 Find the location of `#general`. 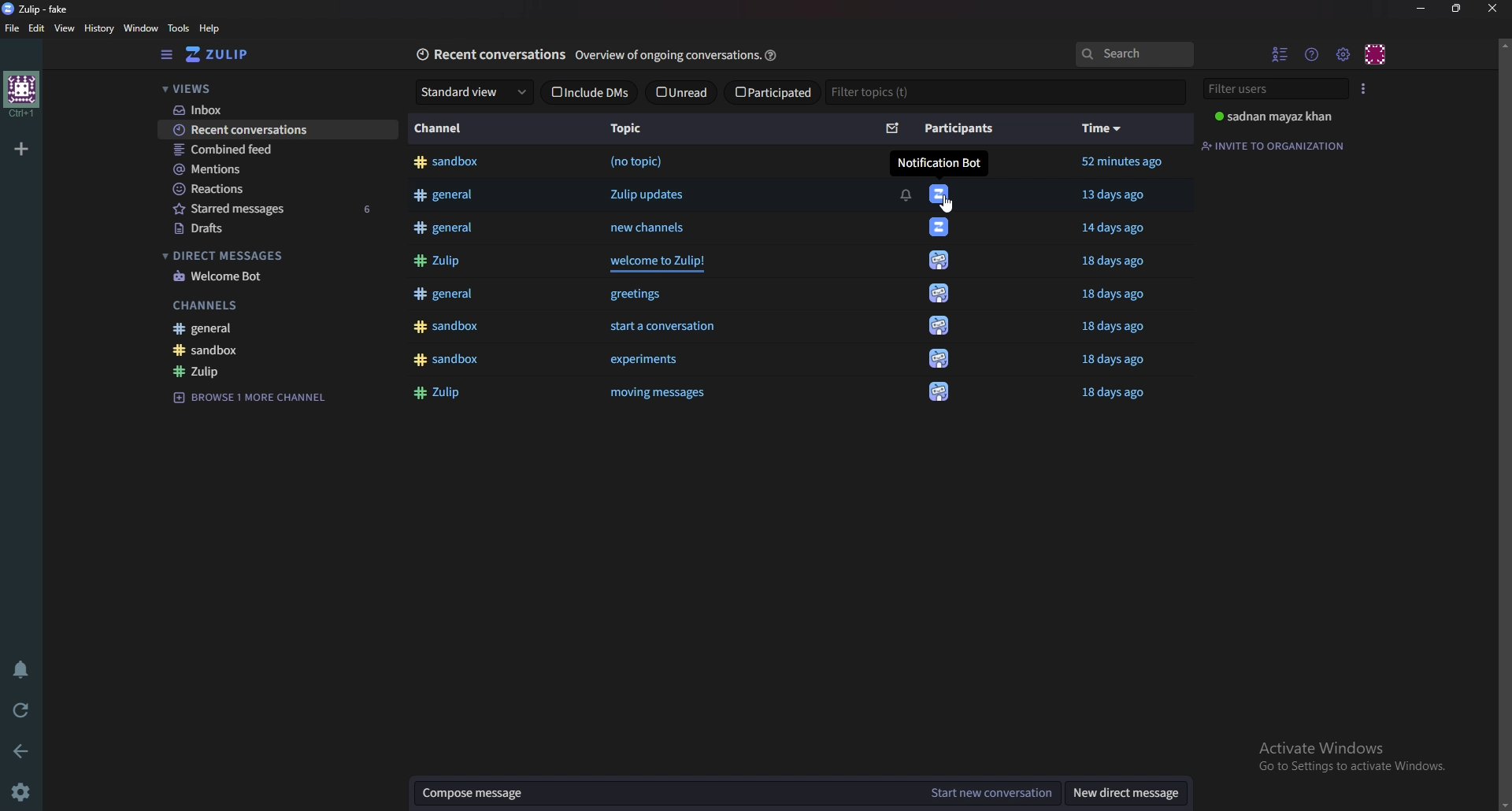

#general is located at coordinates (441, 294).